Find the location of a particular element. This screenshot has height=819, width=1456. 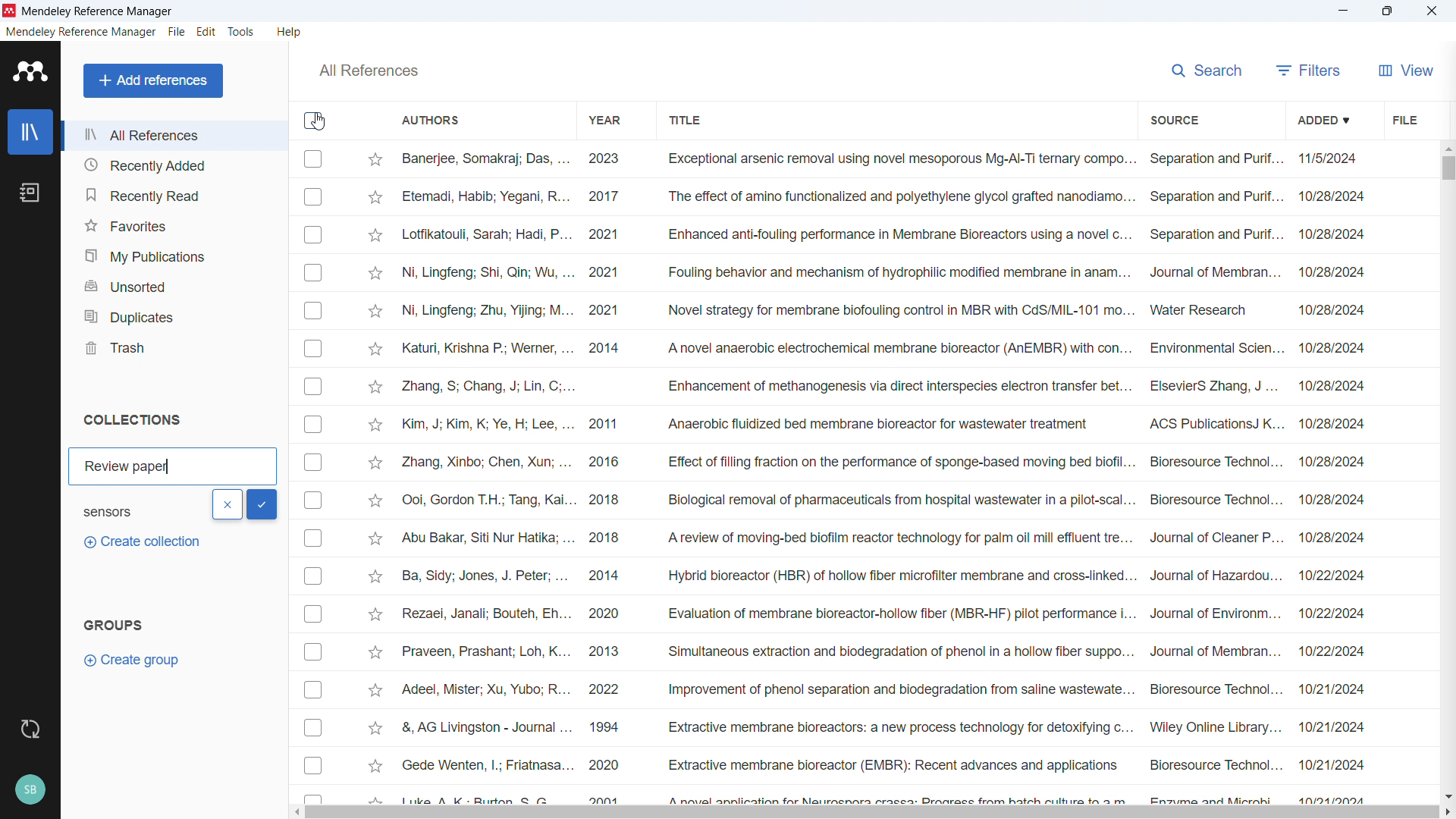

Adeel, Mister; Xu, Yubo; R... 2022 Improvement of phenol separation and biodegradation from saline wastewate... Bioresource Technol... 10/21/2024 is located at coordinates (882, 689).